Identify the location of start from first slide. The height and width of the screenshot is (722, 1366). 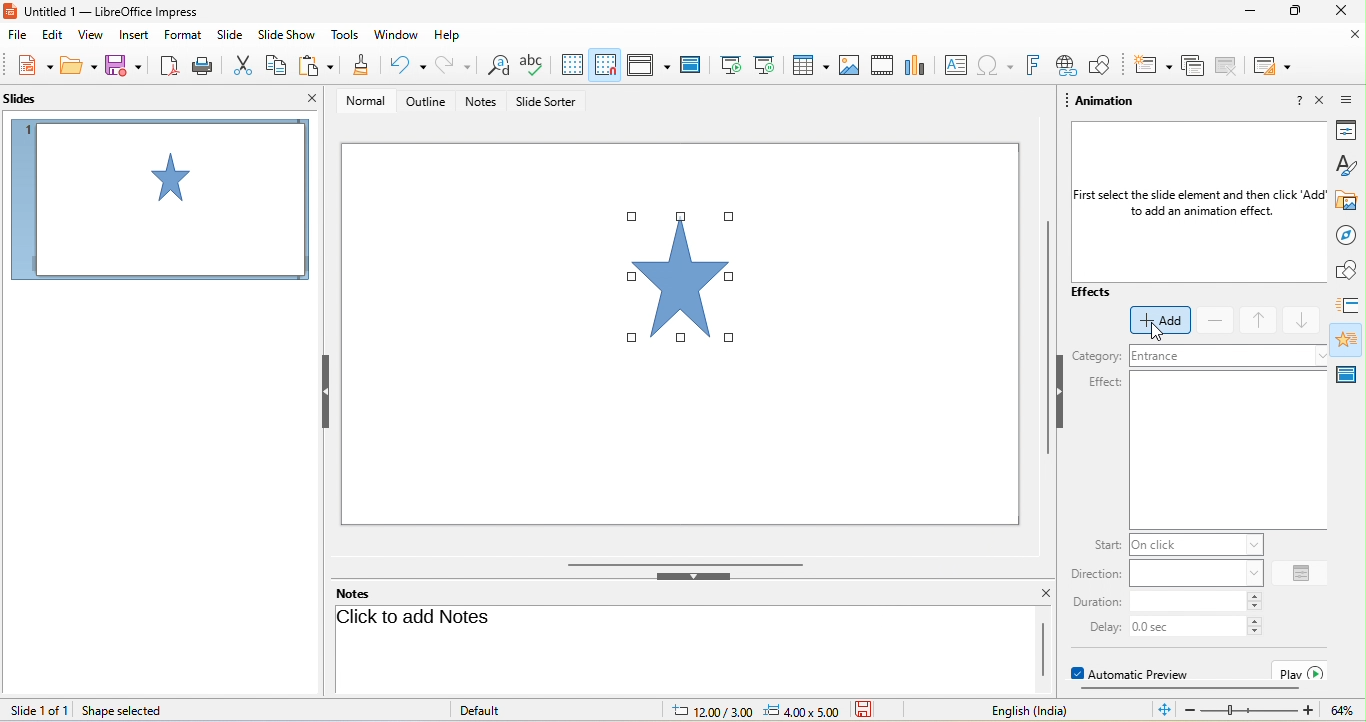
(728, 65).